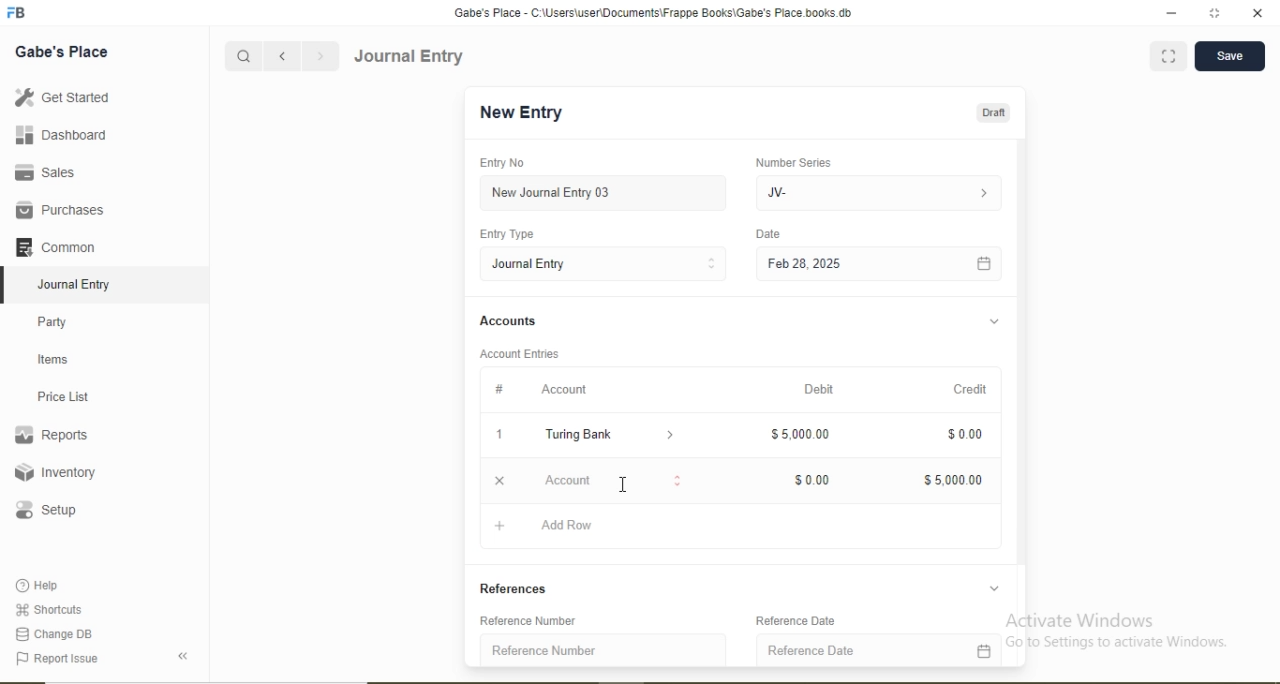  I want to click on Party, so click(53, 324).